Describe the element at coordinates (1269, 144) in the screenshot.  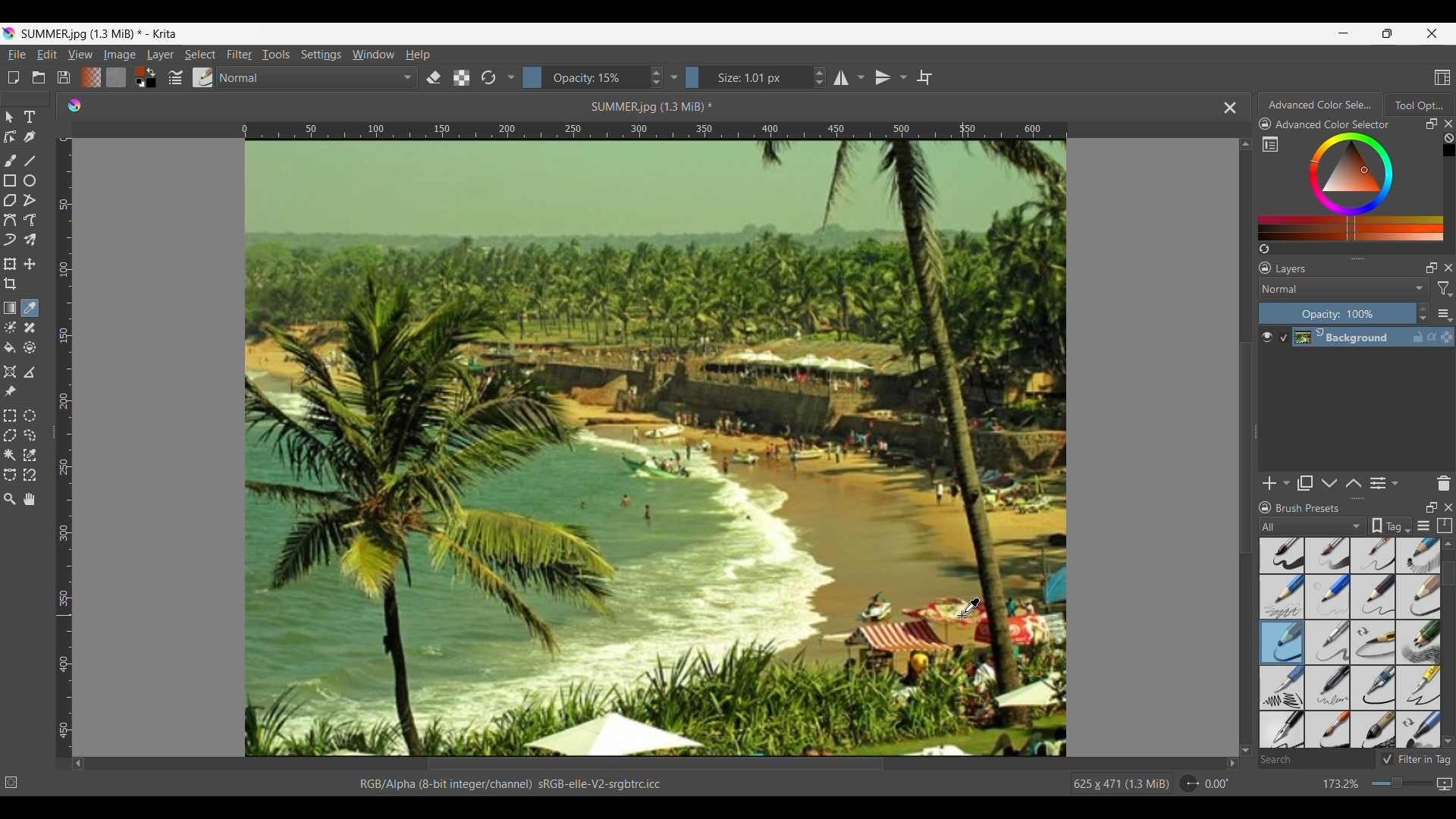
I see `` at that location.